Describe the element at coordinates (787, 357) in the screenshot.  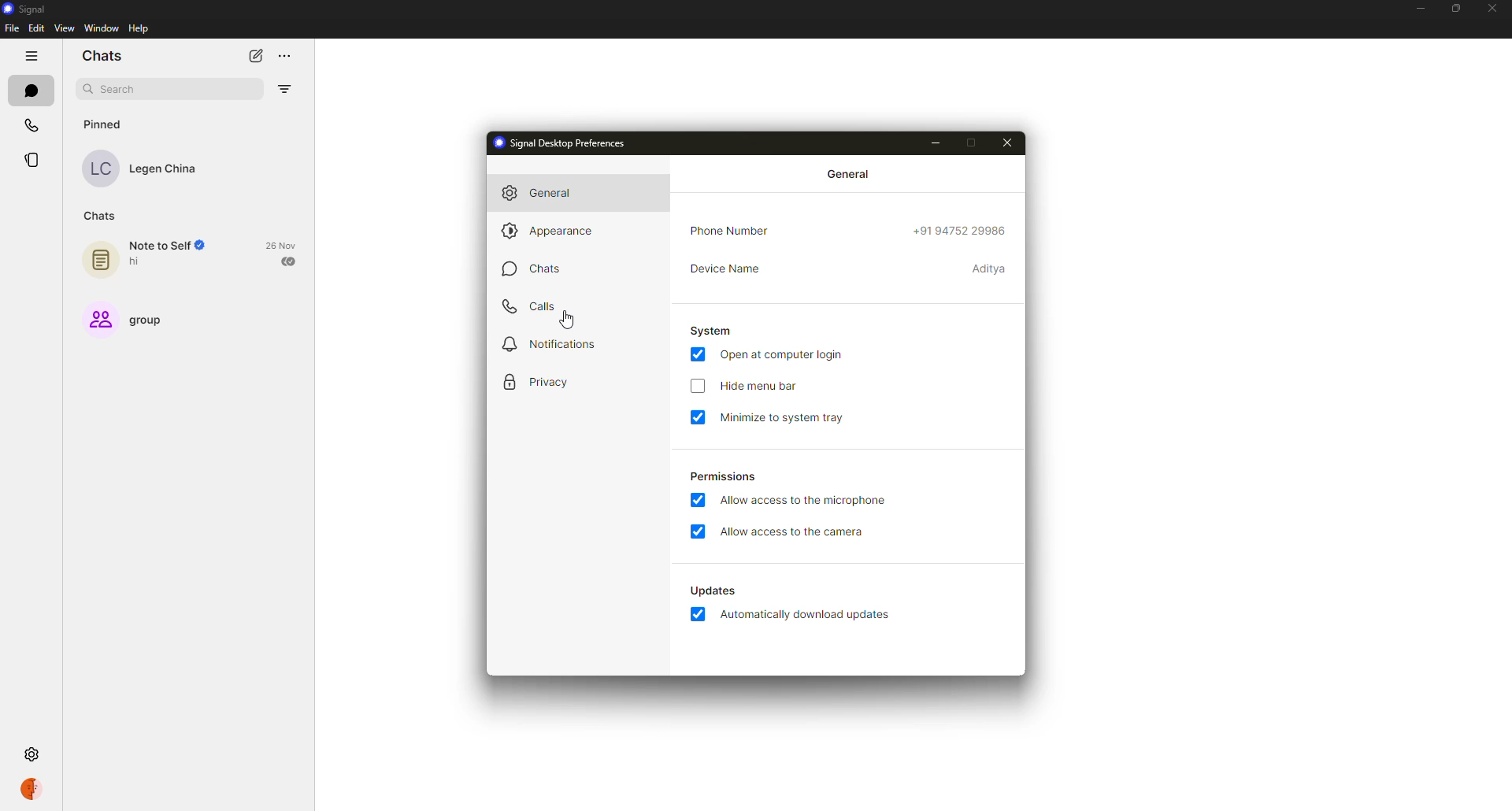
I see `open at login` at that location.